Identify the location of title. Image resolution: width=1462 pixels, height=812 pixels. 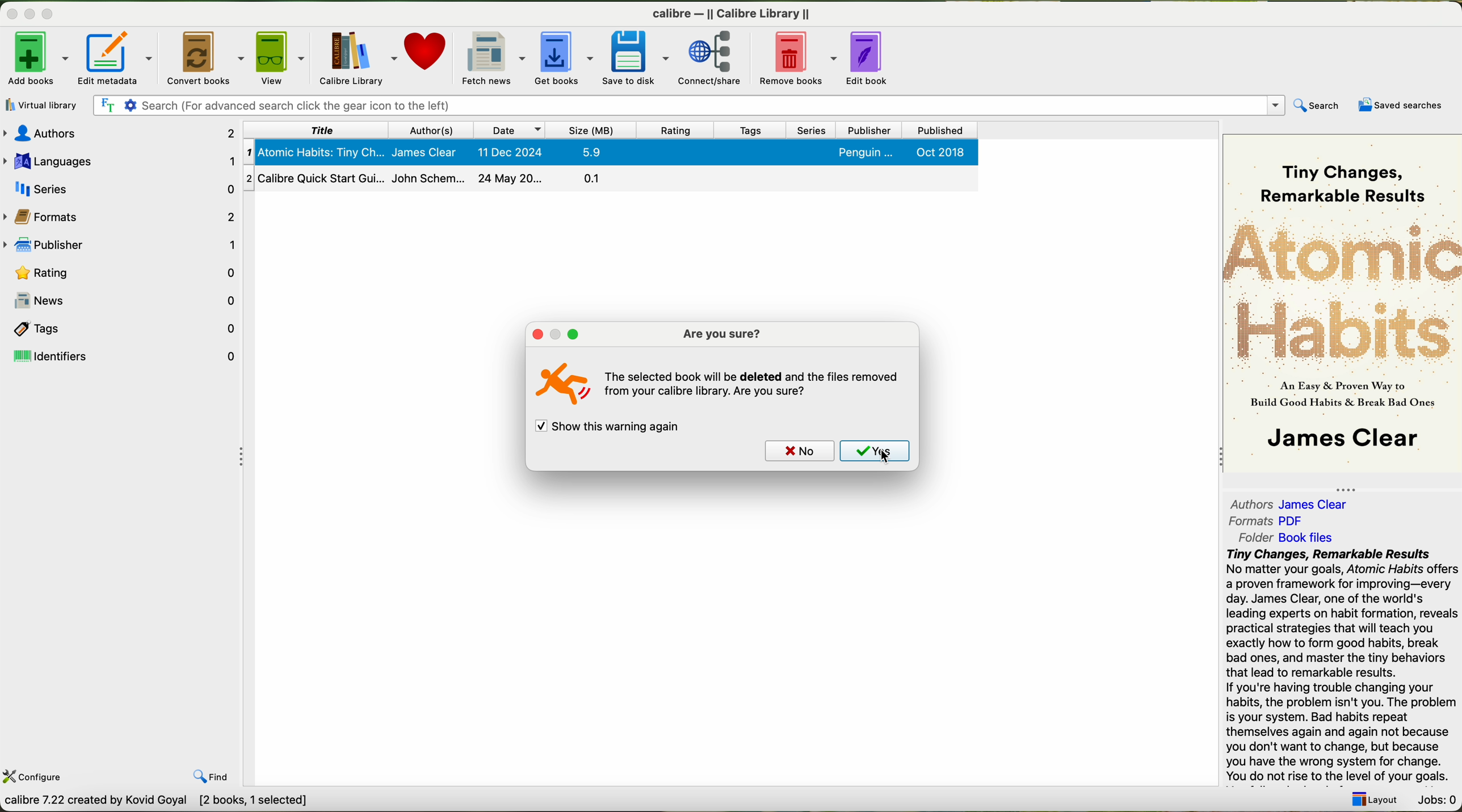
(314, 130).